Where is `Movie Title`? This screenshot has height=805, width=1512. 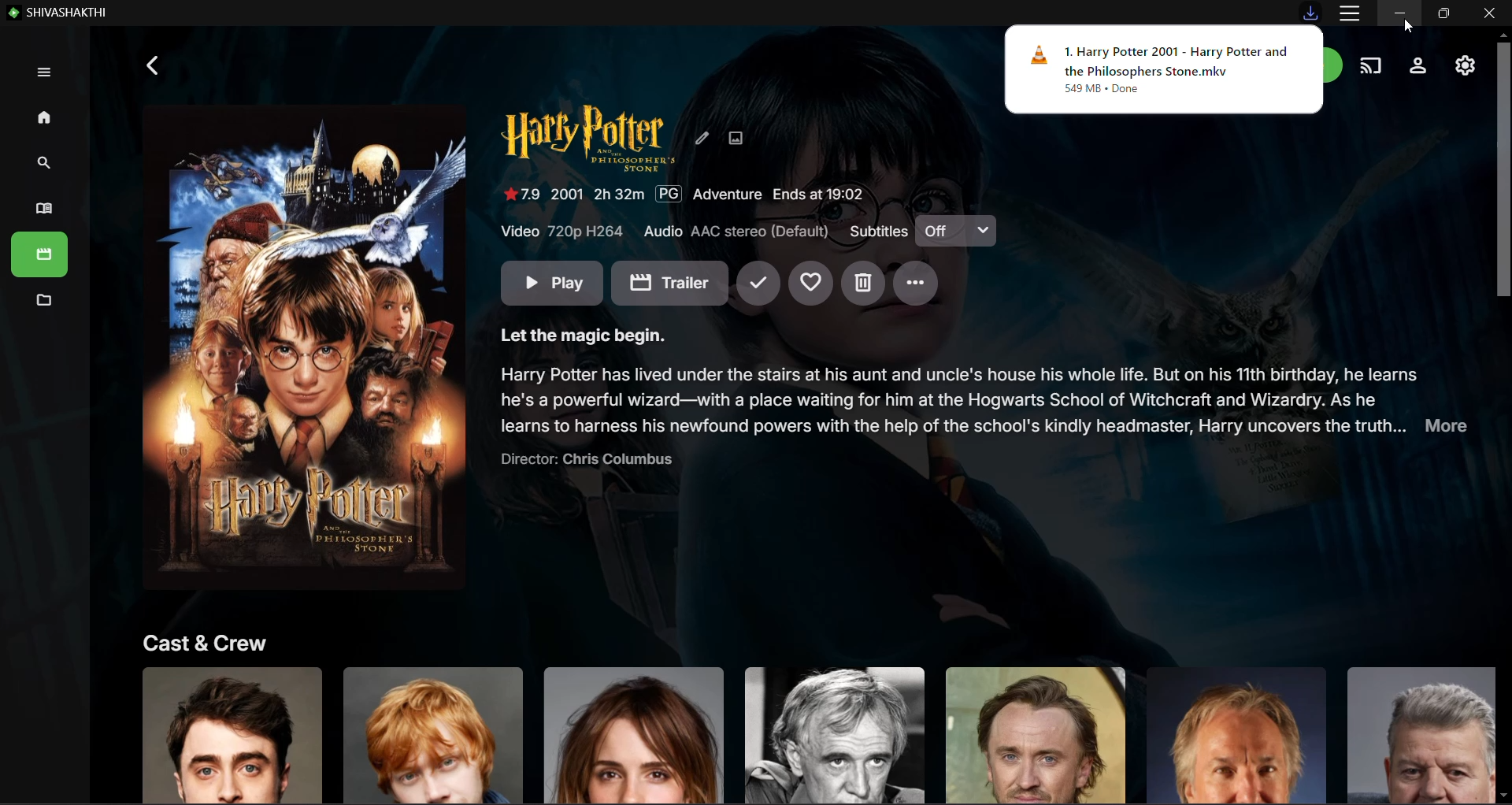
Movie Title is located at coordinates (588, 138).